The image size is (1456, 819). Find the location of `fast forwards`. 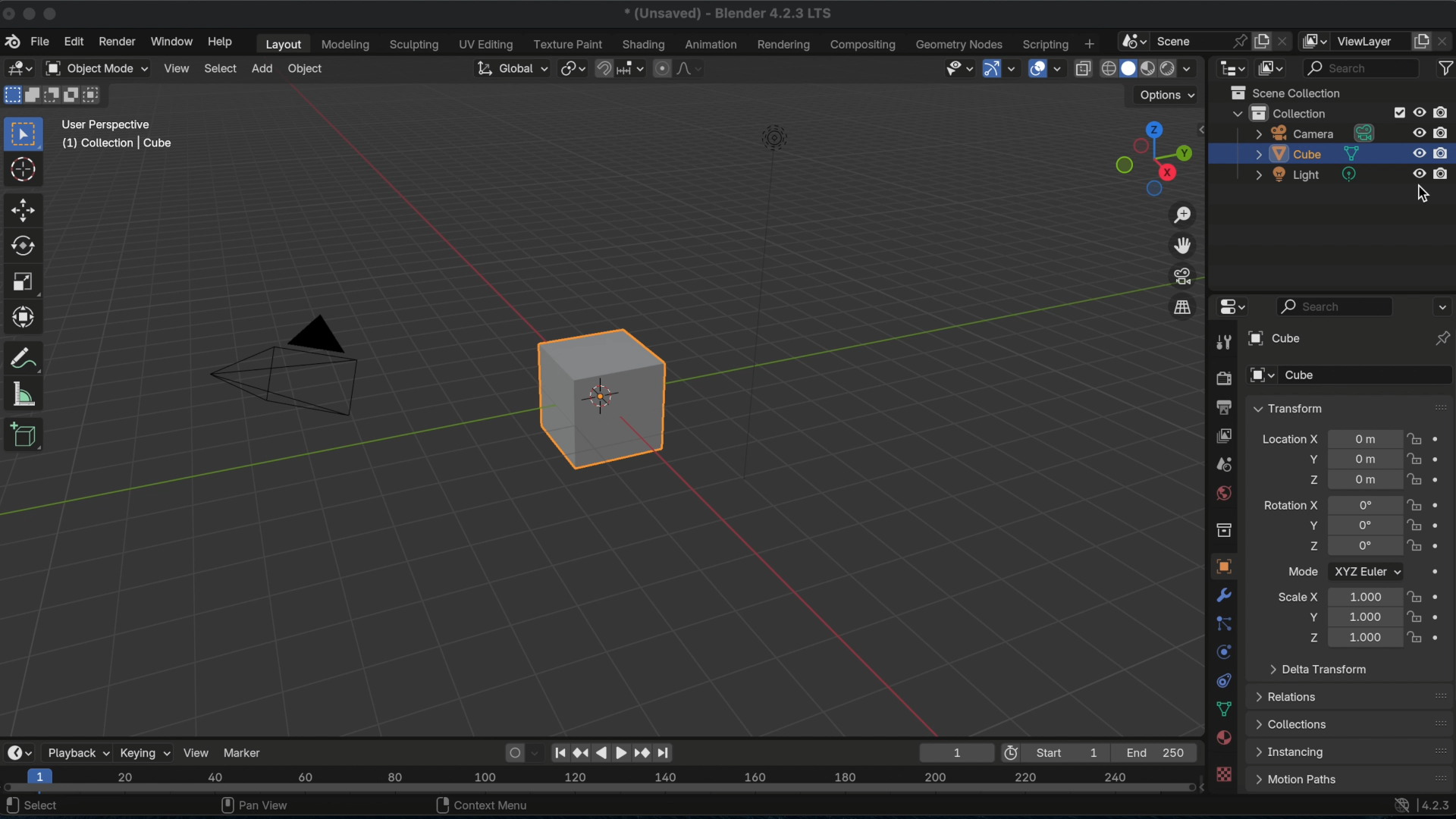

fast forwards is located at coordinates (639, 755).